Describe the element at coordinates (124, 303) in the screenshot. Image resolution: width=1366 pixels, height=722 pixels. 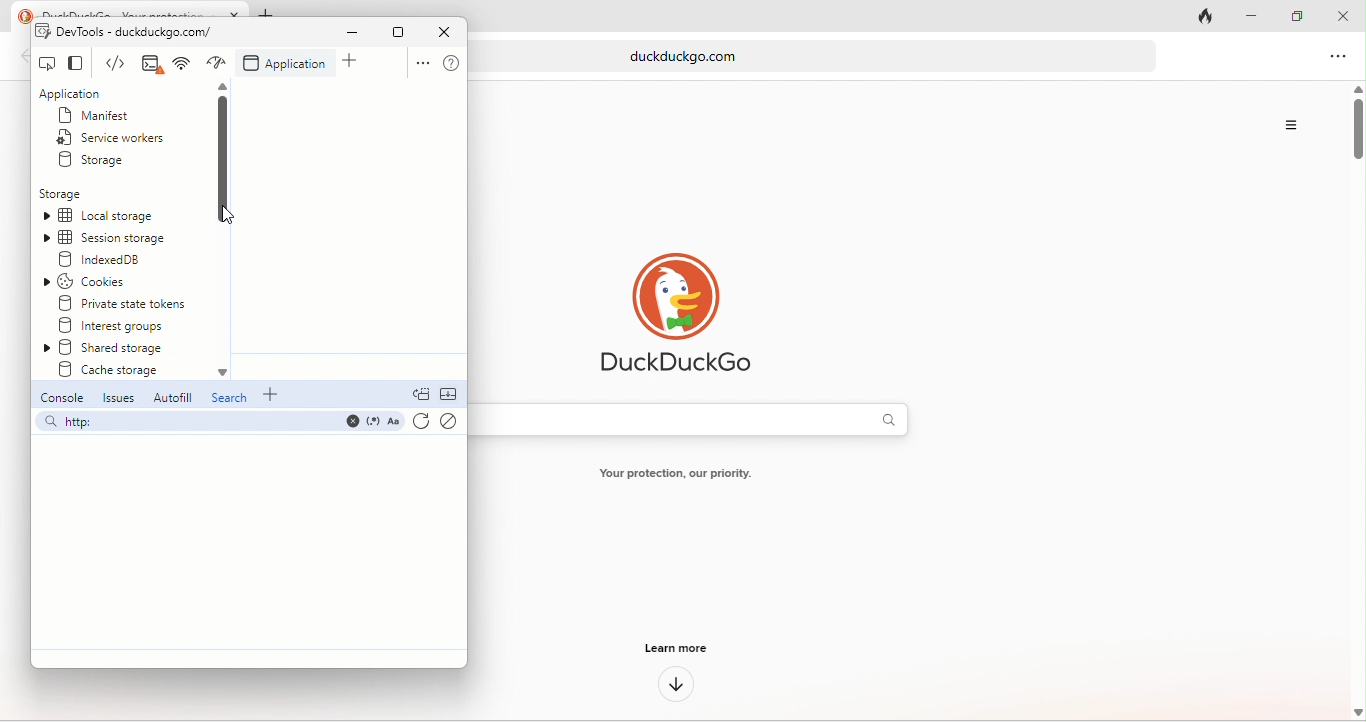
I see `private state tokens` at that location.